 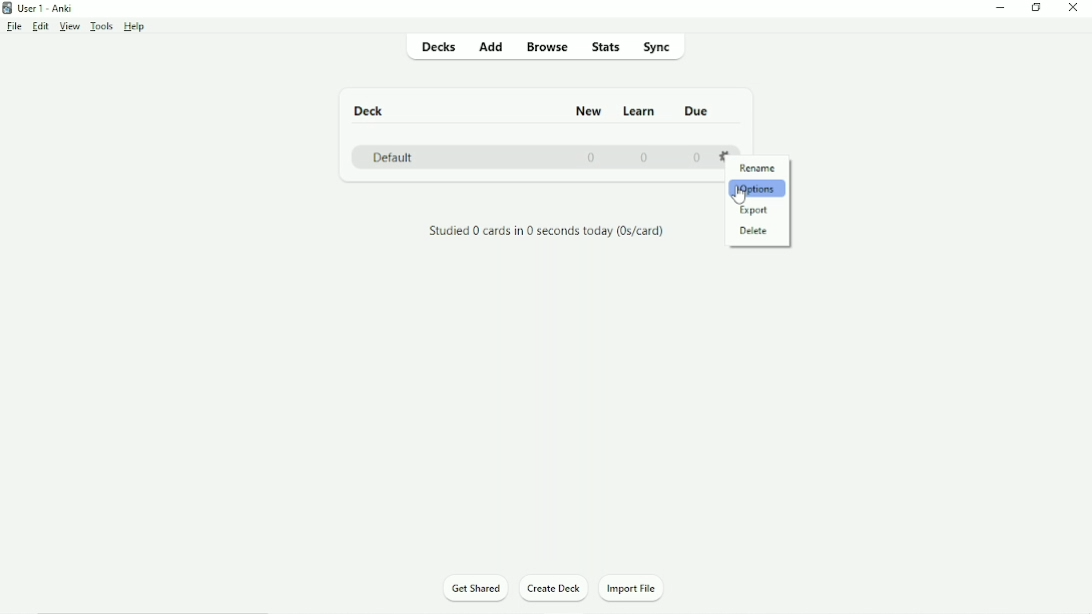 What do you see at coordinates (999, 9) in the screenshot?
I see `Minimize` at bounding box center [999, 9].